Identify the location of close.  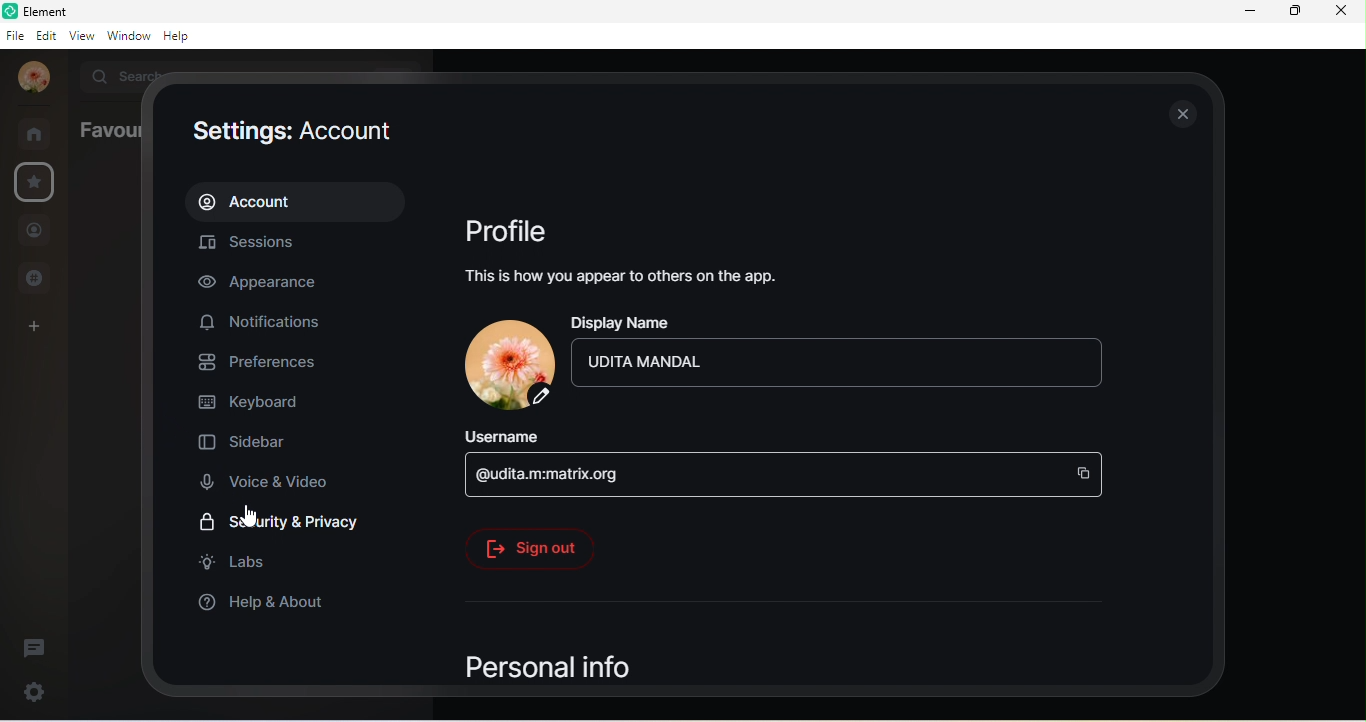
(1341, 13).